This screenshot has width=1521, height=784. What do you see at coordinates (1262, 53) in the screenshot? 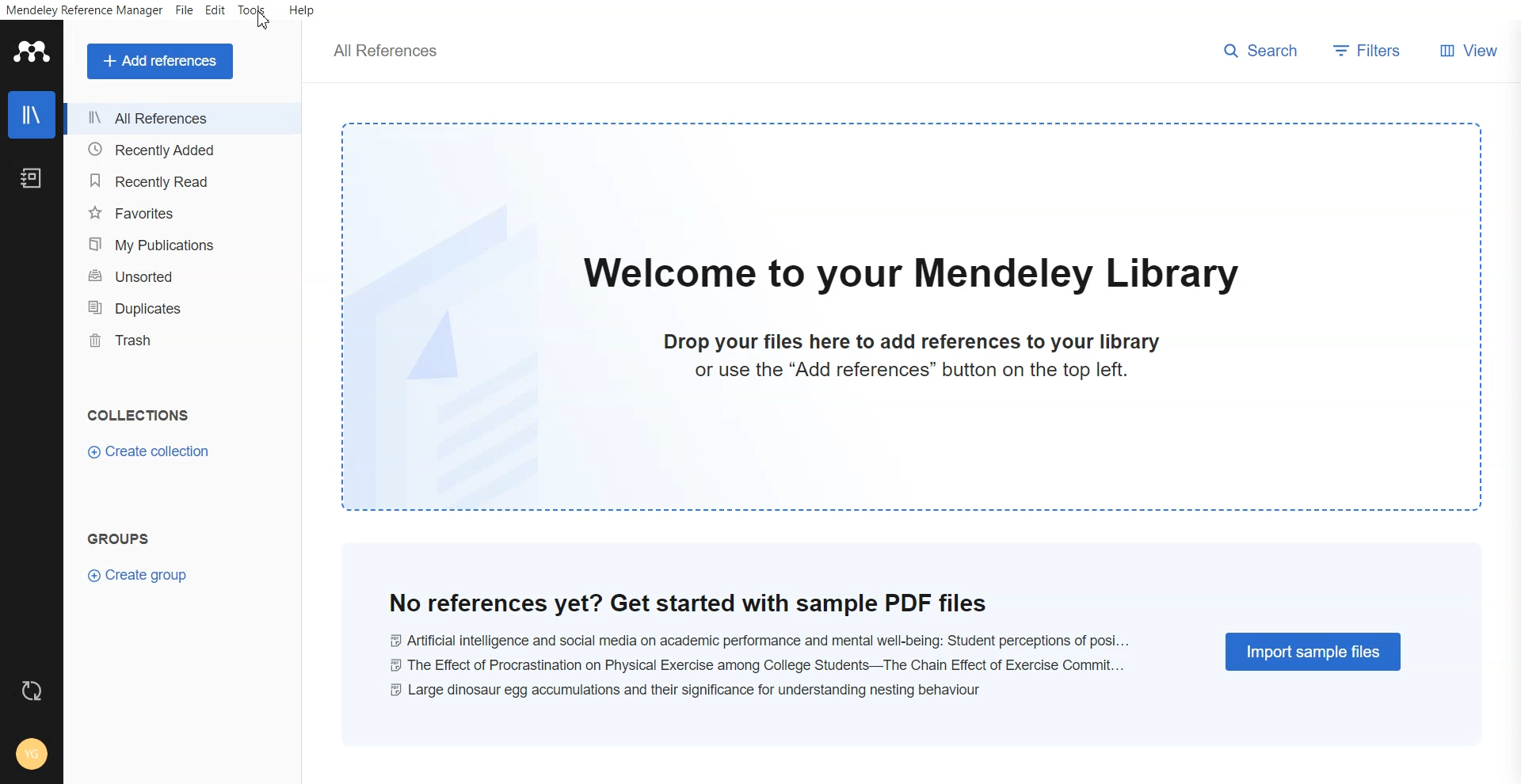
I see `Search` at bounding box center [1262, 53].